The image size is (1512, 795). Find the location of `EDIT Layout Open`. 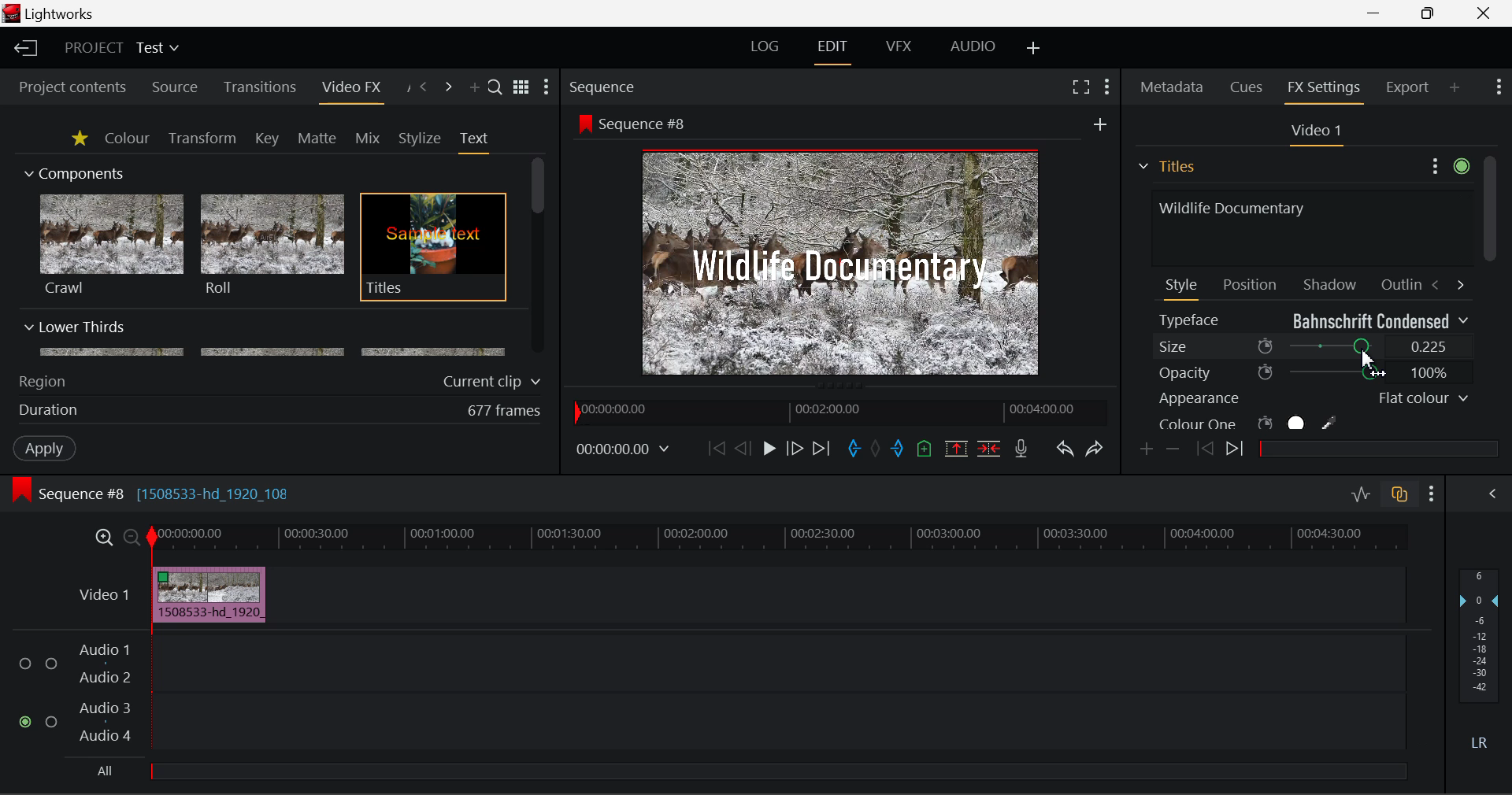

EDIT Layout Open is located at coordinates (836, 52).